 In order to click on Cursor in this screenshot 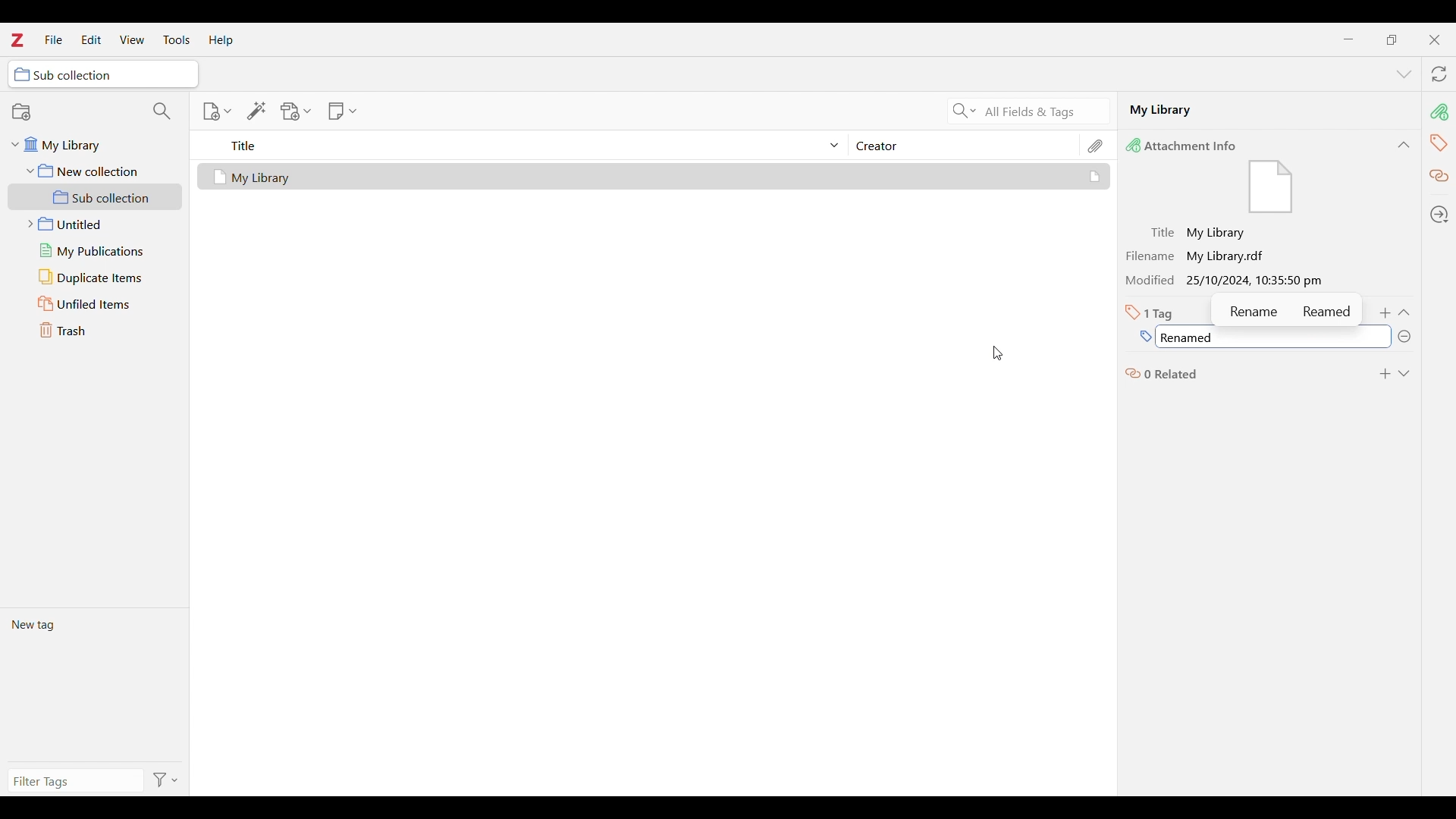, I will do `click(997, 353)`.